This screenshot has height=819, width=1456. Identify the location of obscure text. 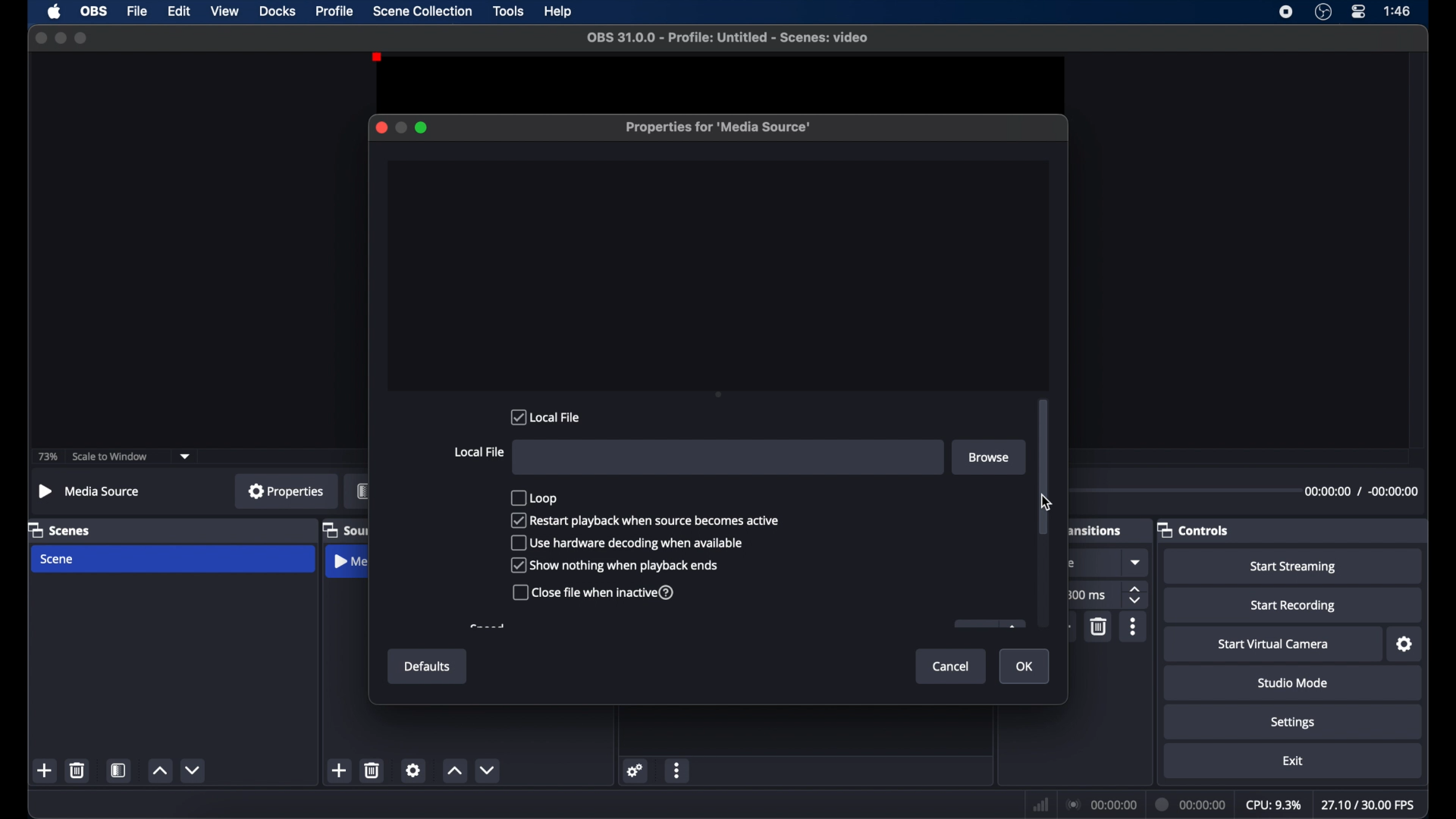
(488, 626).